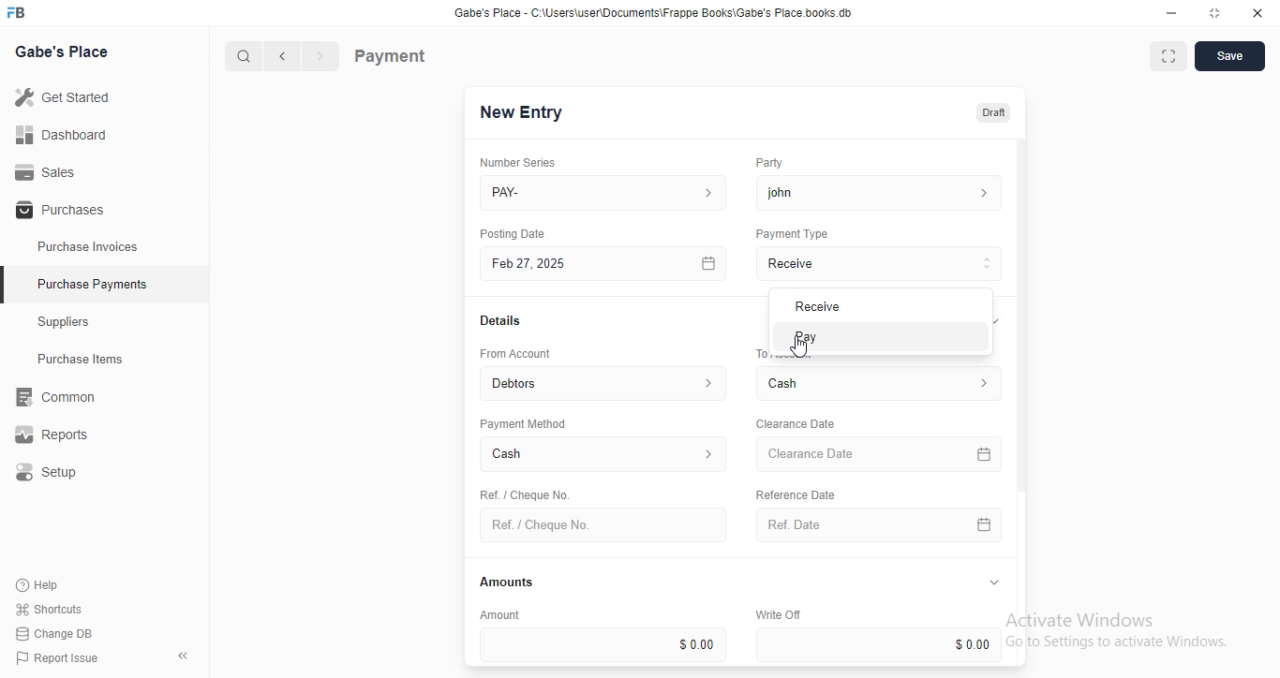 Image resolution: width=1280 pixels, height=678 pixels. I want to click on Gabe's Place, so click(66, 53).